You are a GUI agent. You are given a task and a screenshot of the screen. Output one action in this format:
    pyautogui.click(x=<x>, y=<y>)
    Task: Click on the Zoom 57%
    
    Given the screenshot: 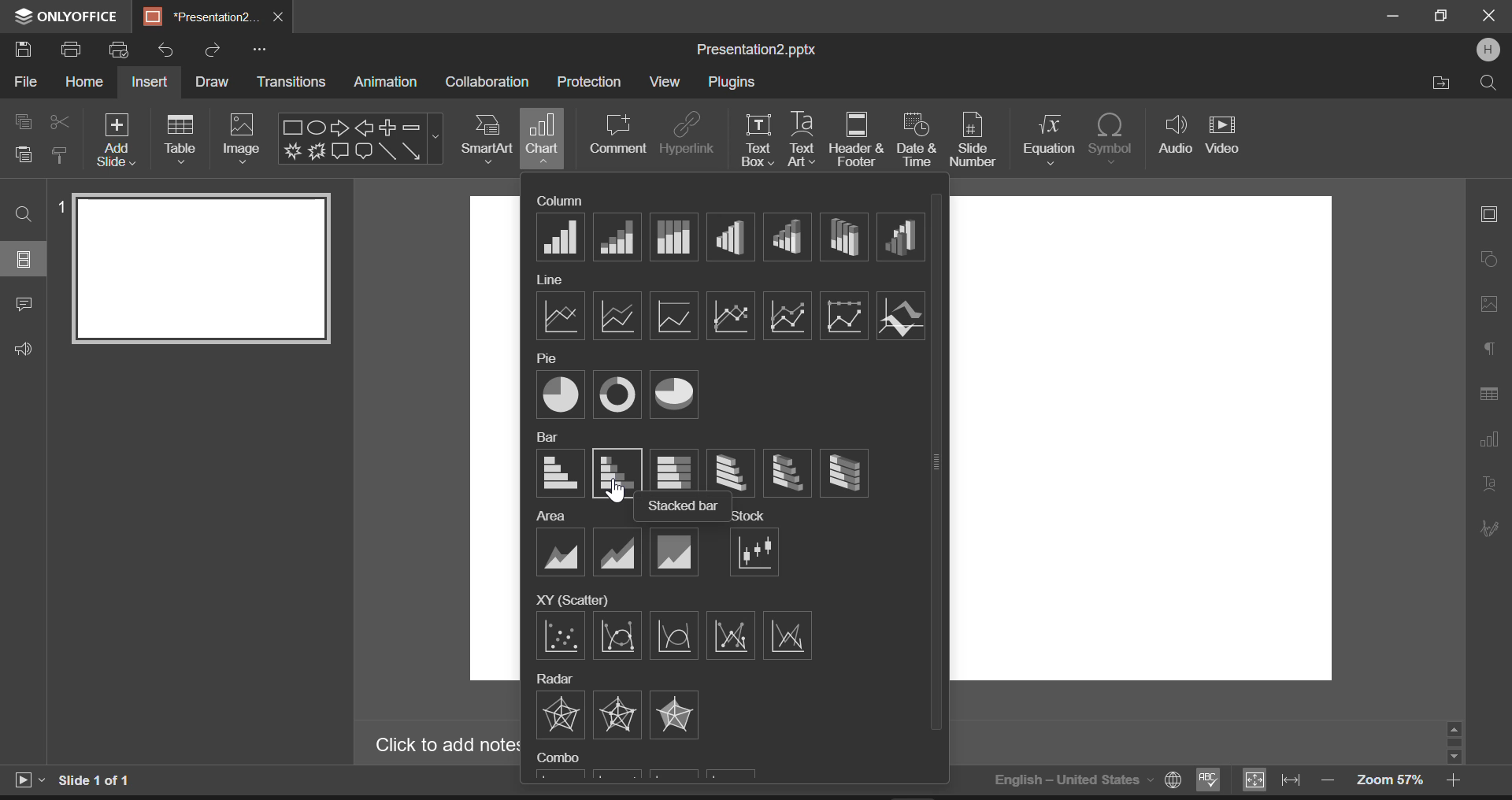 What is the action you would take?
    pyautogui.click(x=1390, y=780)
    